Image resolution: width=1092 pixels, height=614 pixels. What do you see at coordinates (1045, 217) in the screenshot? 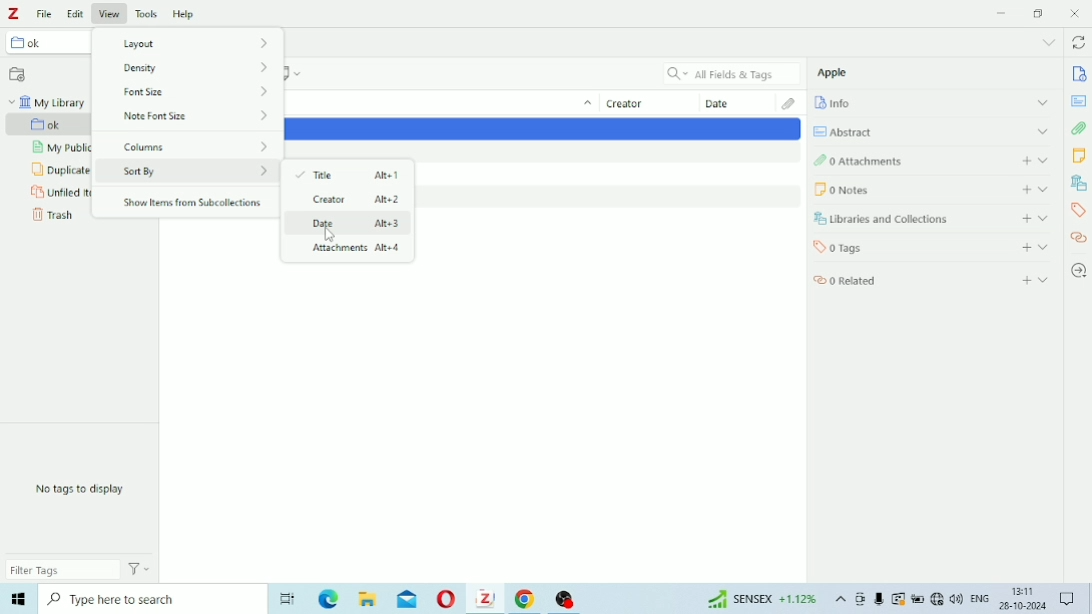
I see `expand` at bounding box center [1045, 217].